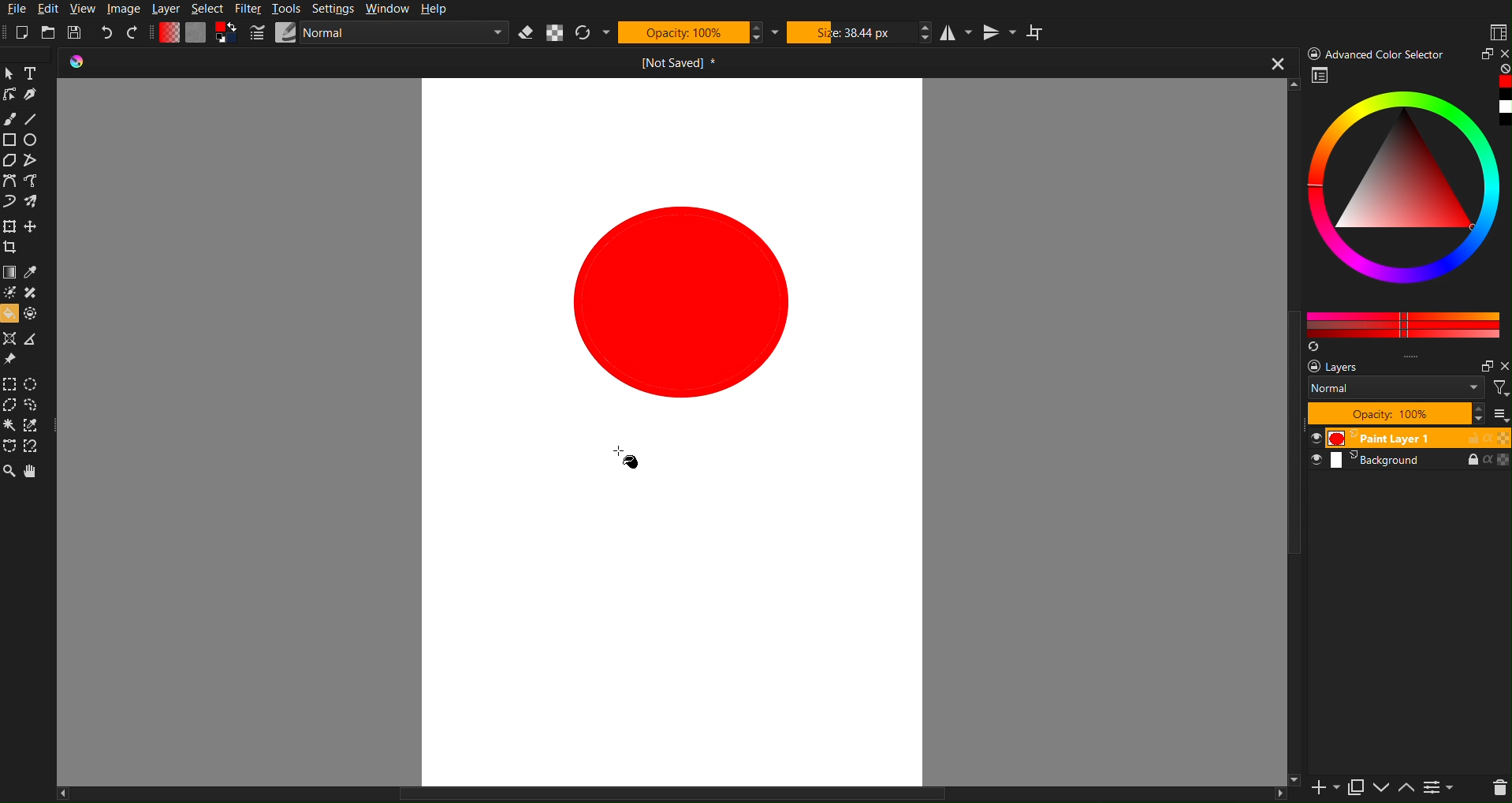 The height and width of the screenshot is (803, 1512). I want to click on Polygonal, so click(9, 406).